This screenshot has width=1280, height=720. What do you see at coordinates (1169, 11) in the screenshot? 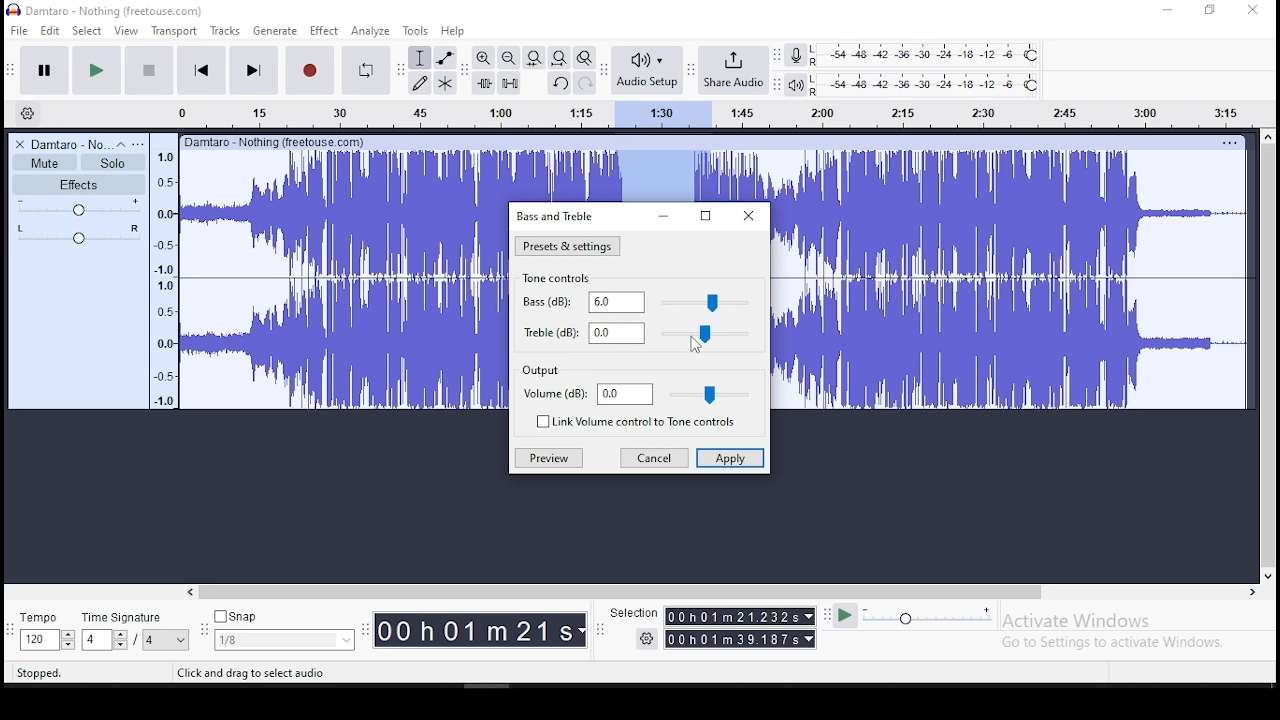
I see `minimize` at bounding box center [1169, 11].